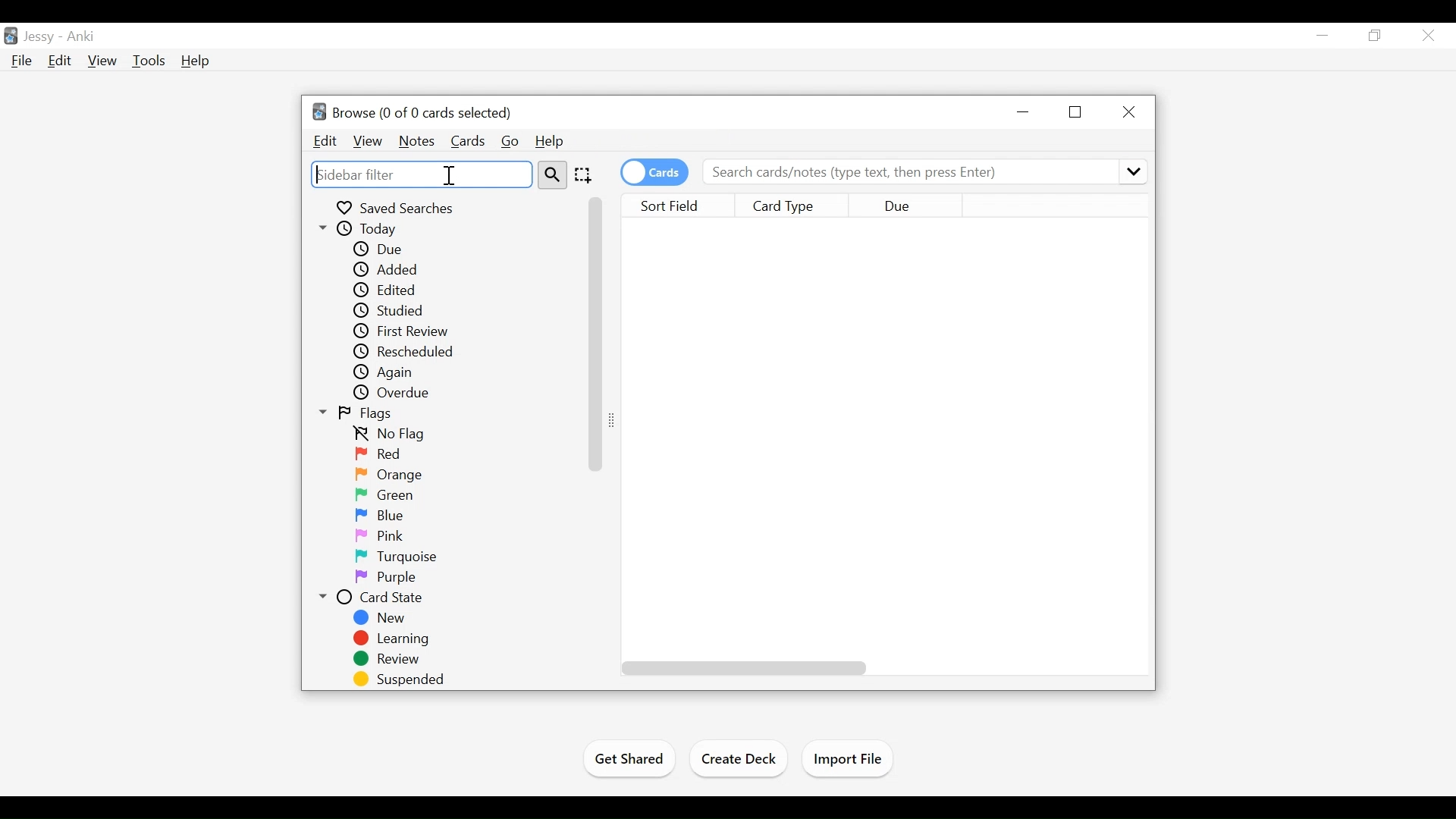  I want to click on Search cards/notes , so click(923, 173).